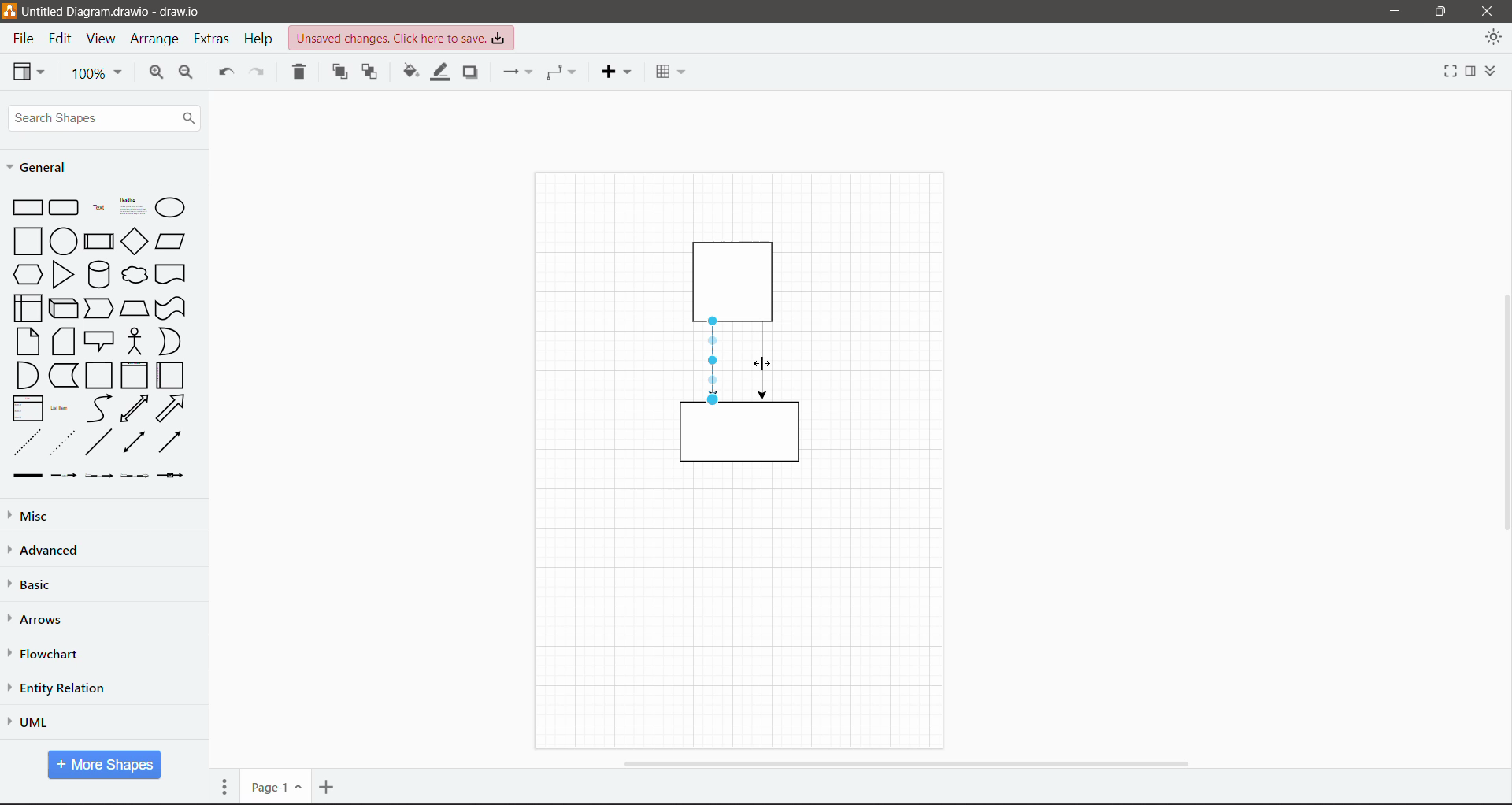 The height and width of the screenshot is (805, 1512). What do you see at coordinates (616, 72) in the screenshot?
I see `Insert` at bounding box center [616, 72].